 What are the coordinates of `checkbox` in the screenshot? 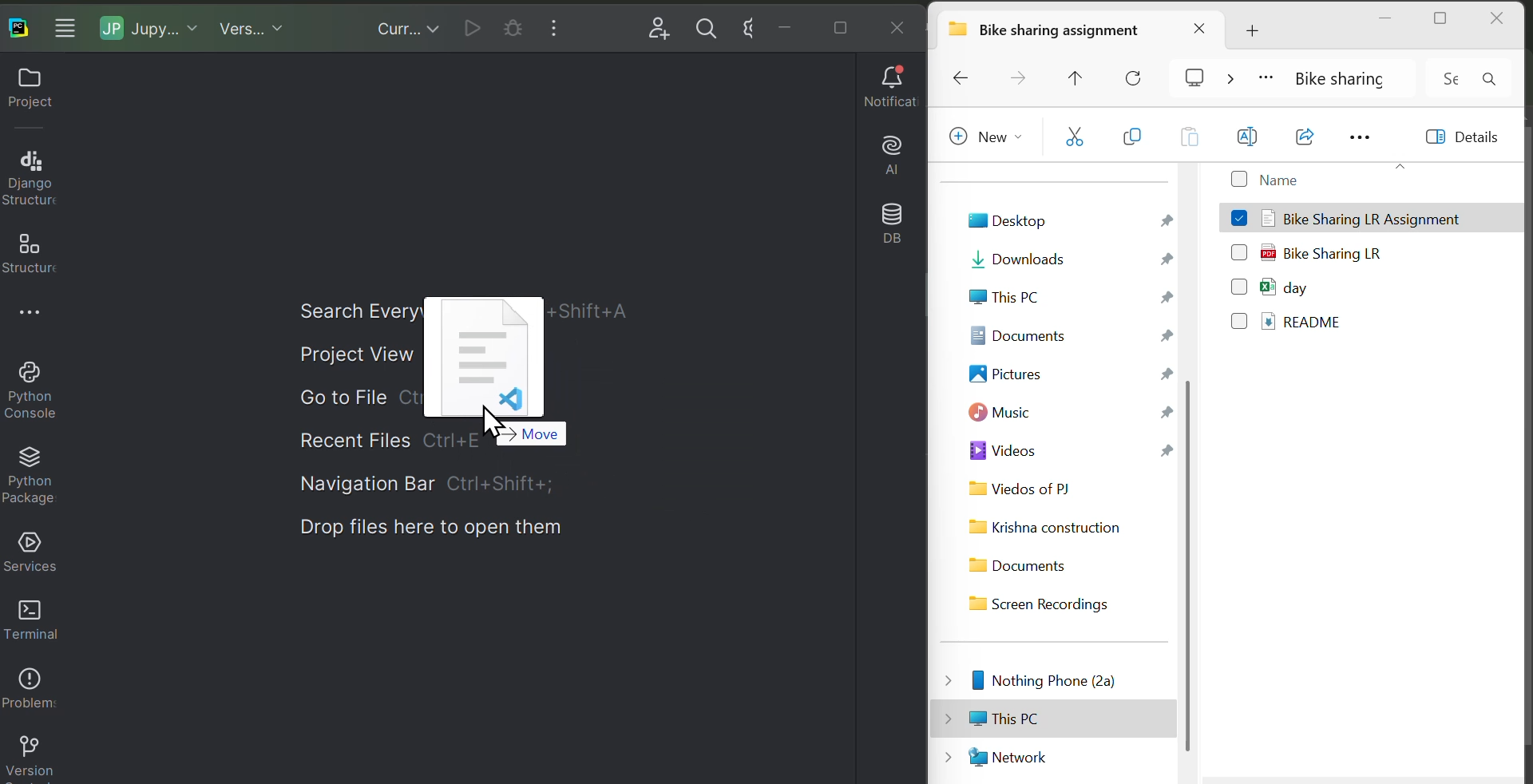 It's located at (1238, 214).